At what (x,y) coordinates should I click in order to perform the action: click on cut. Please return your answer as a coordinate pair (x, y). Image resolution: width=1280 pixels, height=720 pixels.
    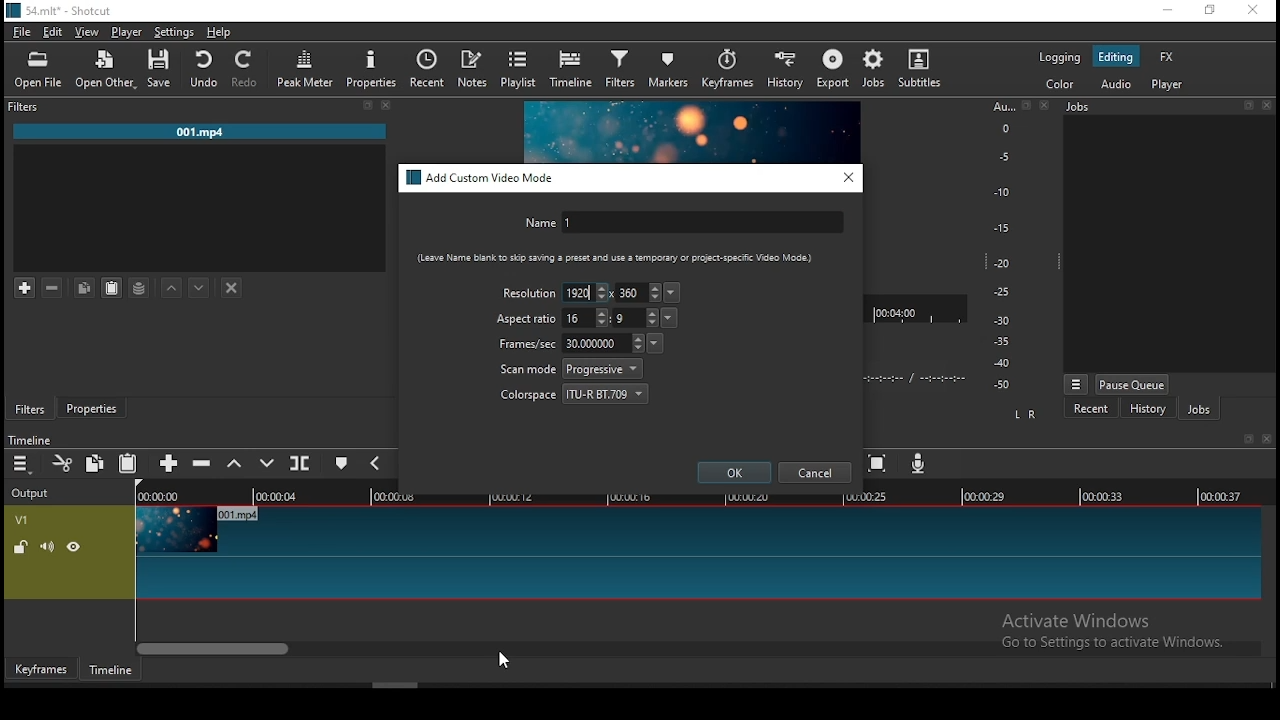
    Looking at the image, I should click on (63, 463).